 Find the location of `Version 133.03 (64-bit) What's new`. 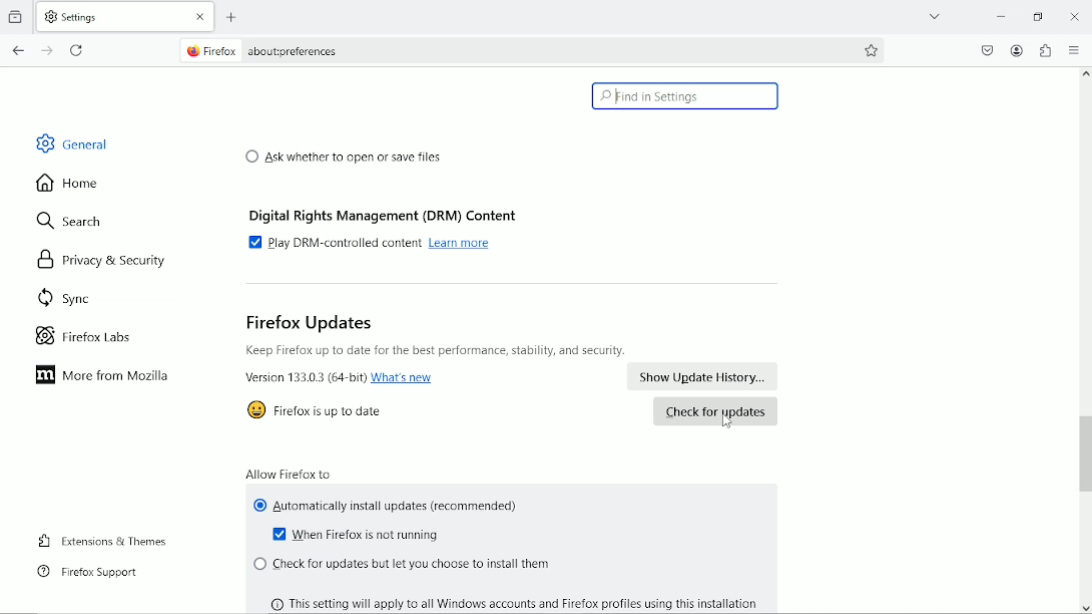

Version 133.03 (64-bit) What's new is located at coordinates (341, 379).